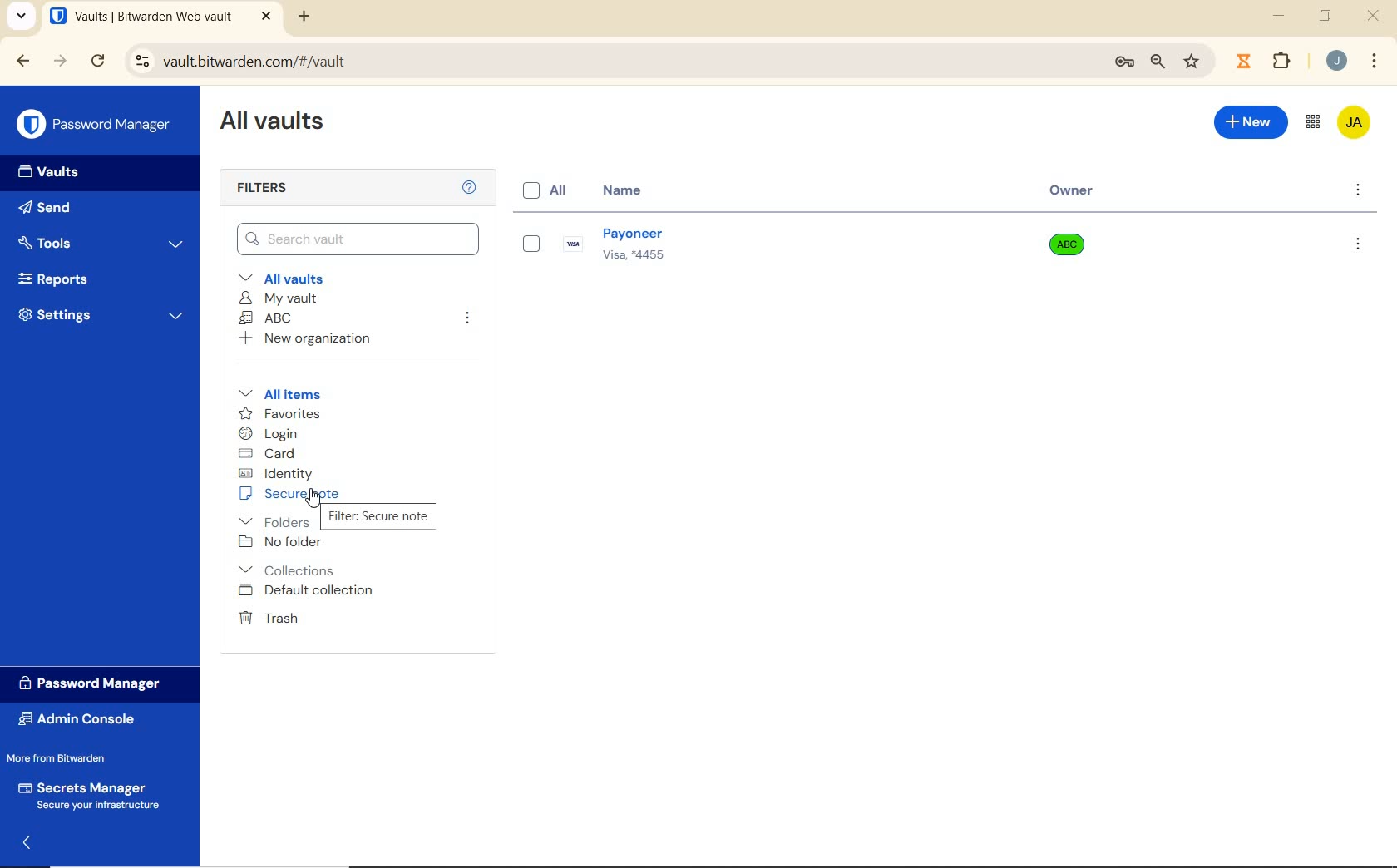 The height and width of the screenshot is (868, 1397). Describe the element at coordinates (271, 433) in the screenshot. I see `login` at that location.